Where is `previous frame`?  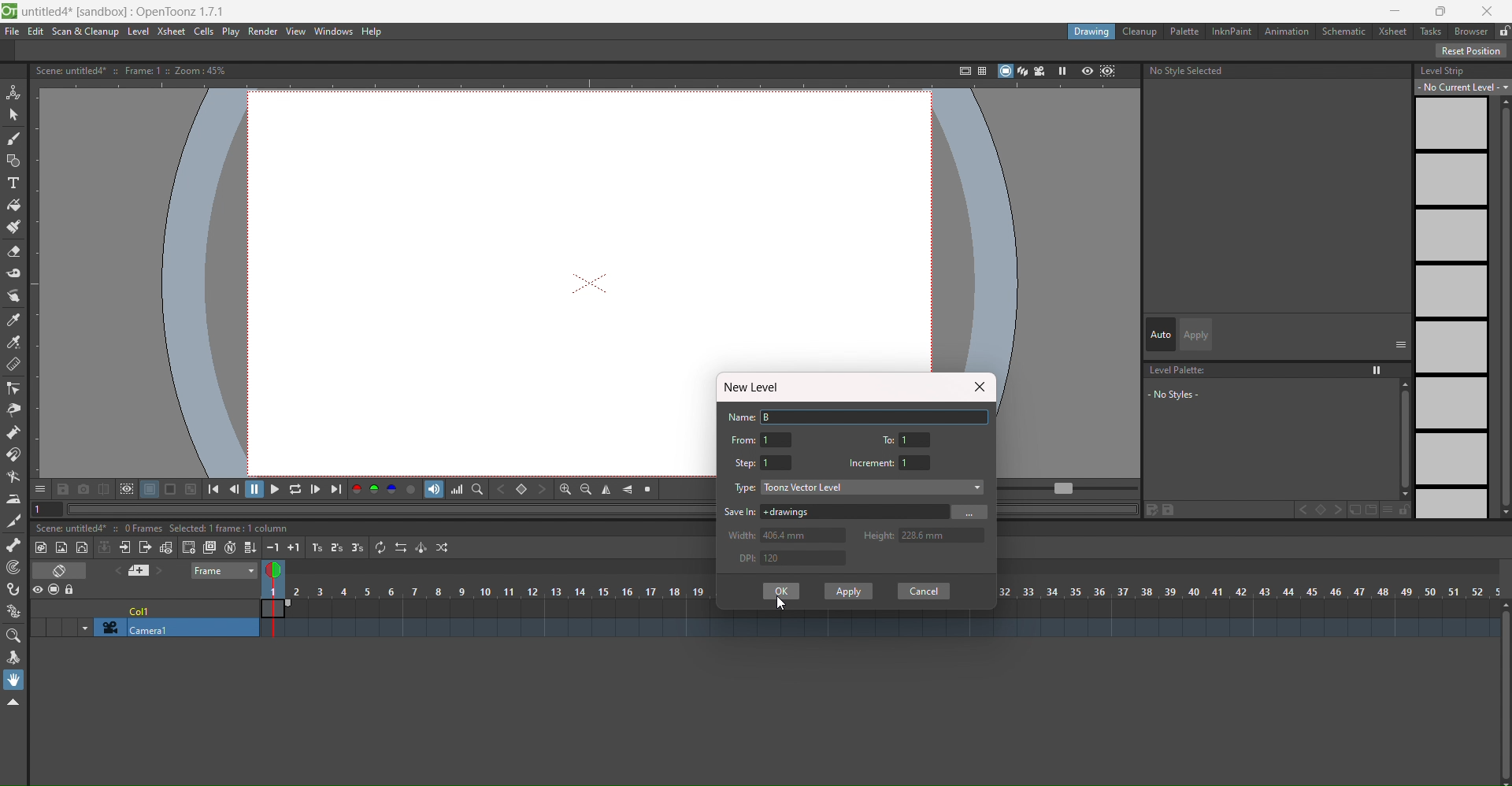 previous frame is located at coordinates (237, 488).